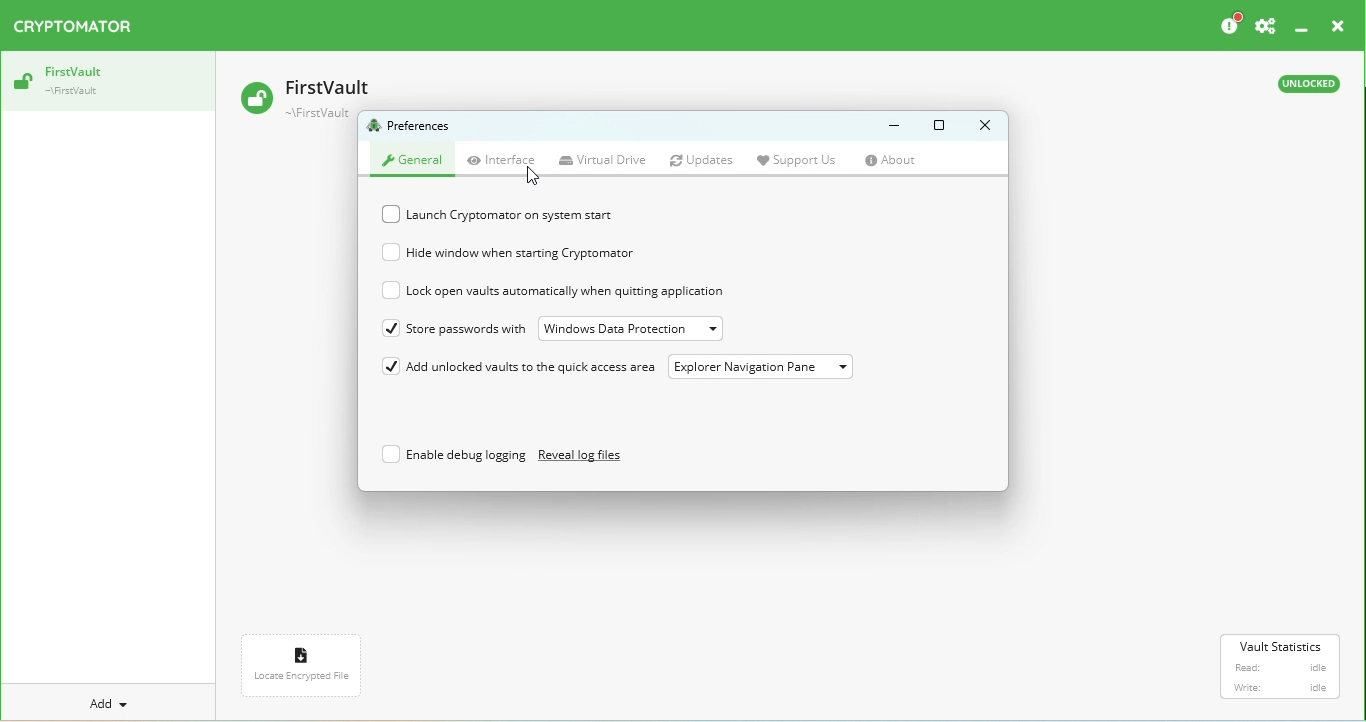  I want to click on Close, so click(980, 125).